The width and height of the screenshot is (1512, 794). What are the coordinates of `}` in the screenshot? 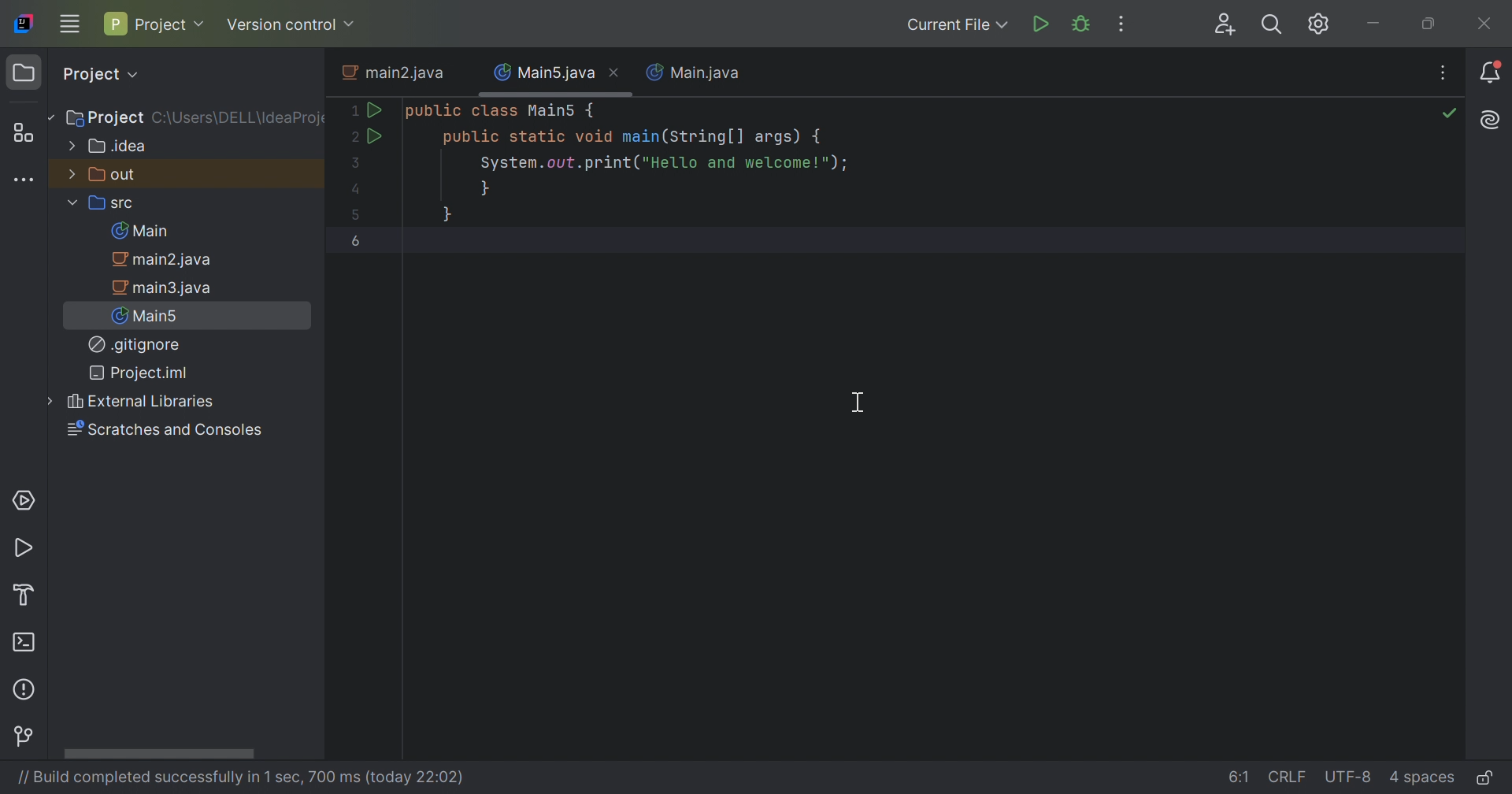 It's located at (448, 213).